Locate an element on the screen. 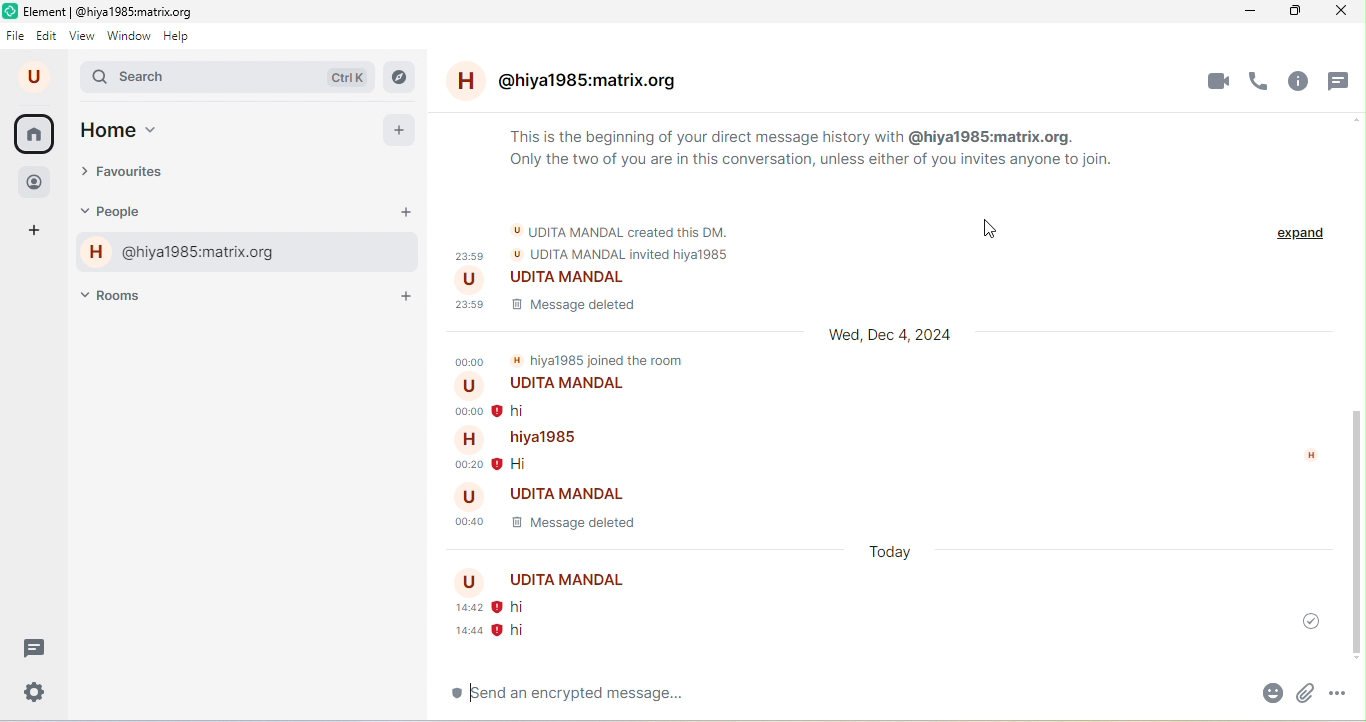 This screenshot has width=1366, height=722. settings is located at coordinates (36, 691).